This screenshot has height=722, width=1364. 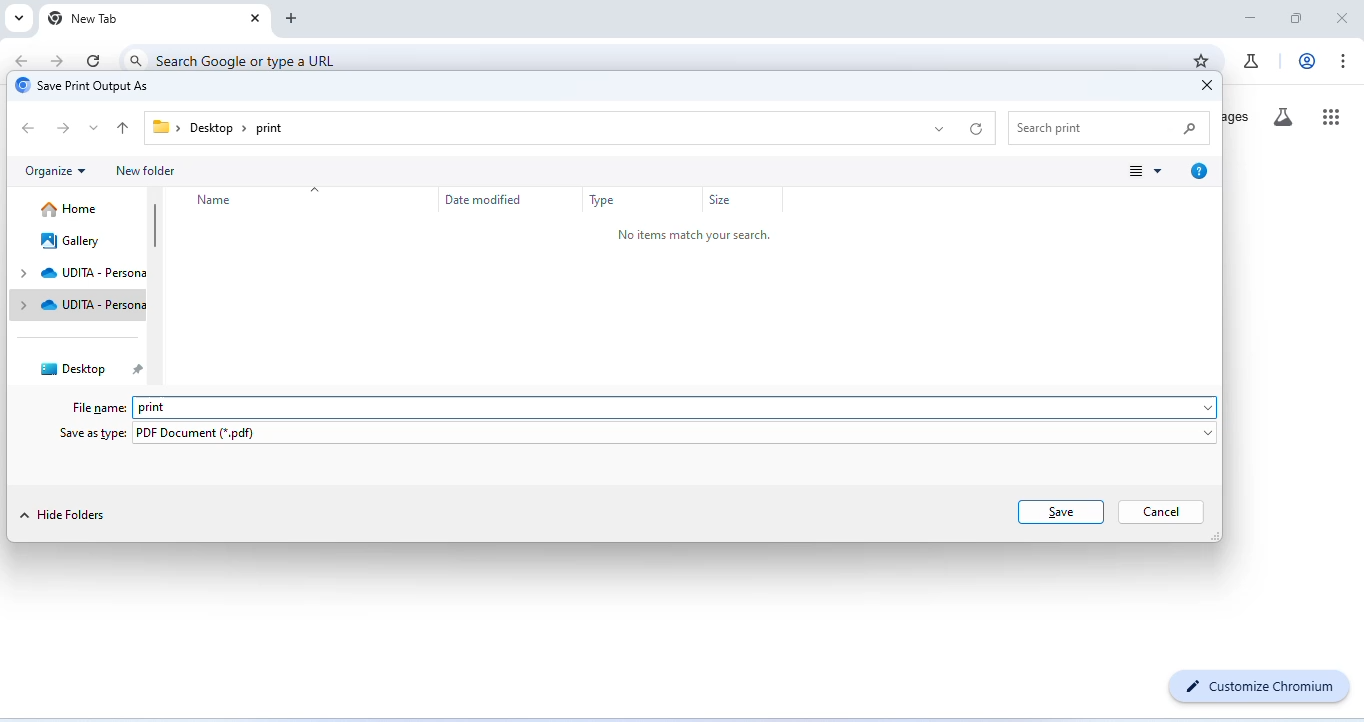 What do you see at coordinates (1062, 511) in the screenshot?
I see `save` at bounding box center [1062, 511].